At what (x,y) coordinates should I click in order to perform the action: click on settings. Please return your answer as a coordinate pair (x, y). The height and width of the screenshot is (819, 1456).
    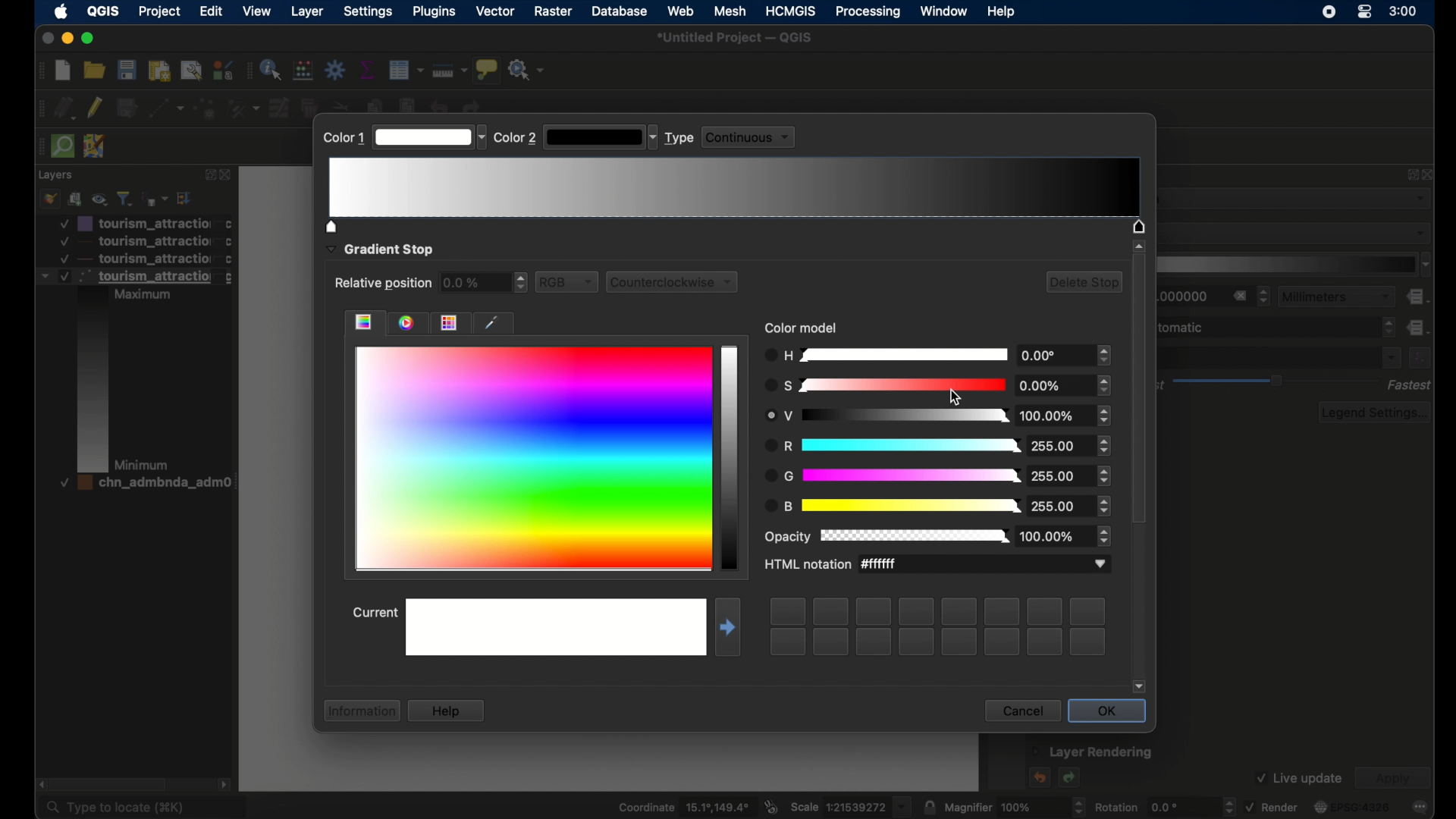
    Looking at the image, I should click on (370, 13).